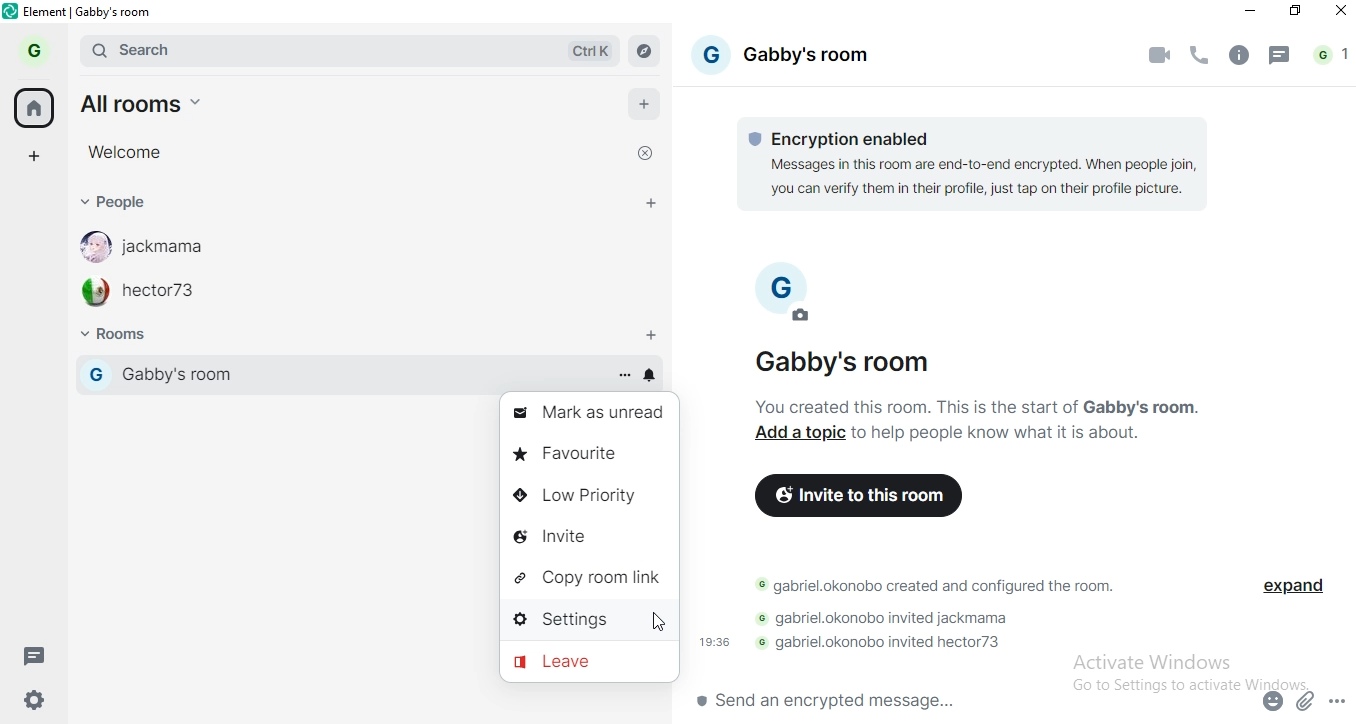 The width and height of the screenshot is (1356, 724). Describe the element at coordinates (791, 58) in the screenshot. I see `gabby's room` at that location.